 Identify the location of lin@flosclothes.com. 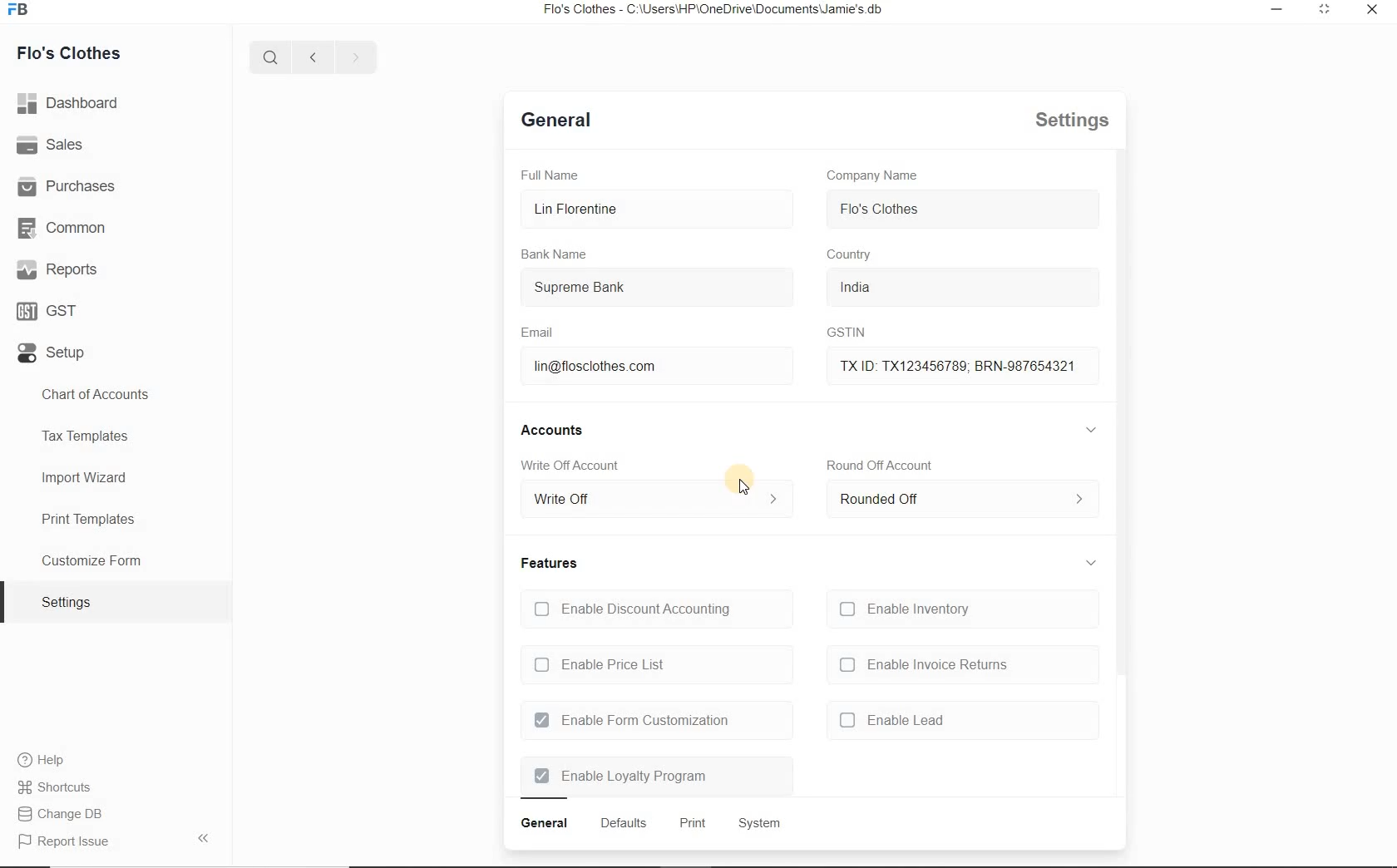
(617, 367).